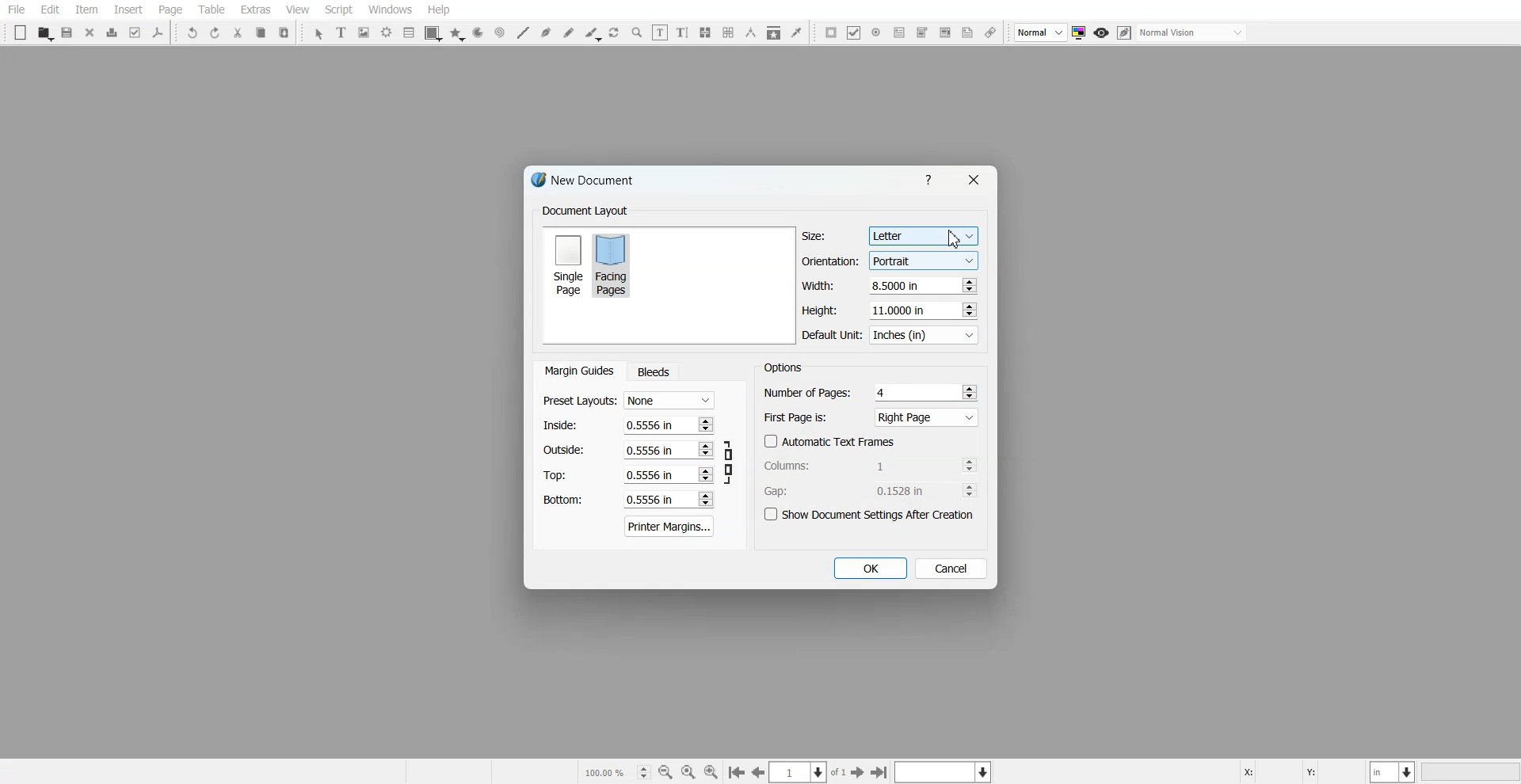 This screenshot has height=784, width=1521. What do you see at coordinates (21, 32) in the screenshot?
I see `New` at bounding box center [21, 32].